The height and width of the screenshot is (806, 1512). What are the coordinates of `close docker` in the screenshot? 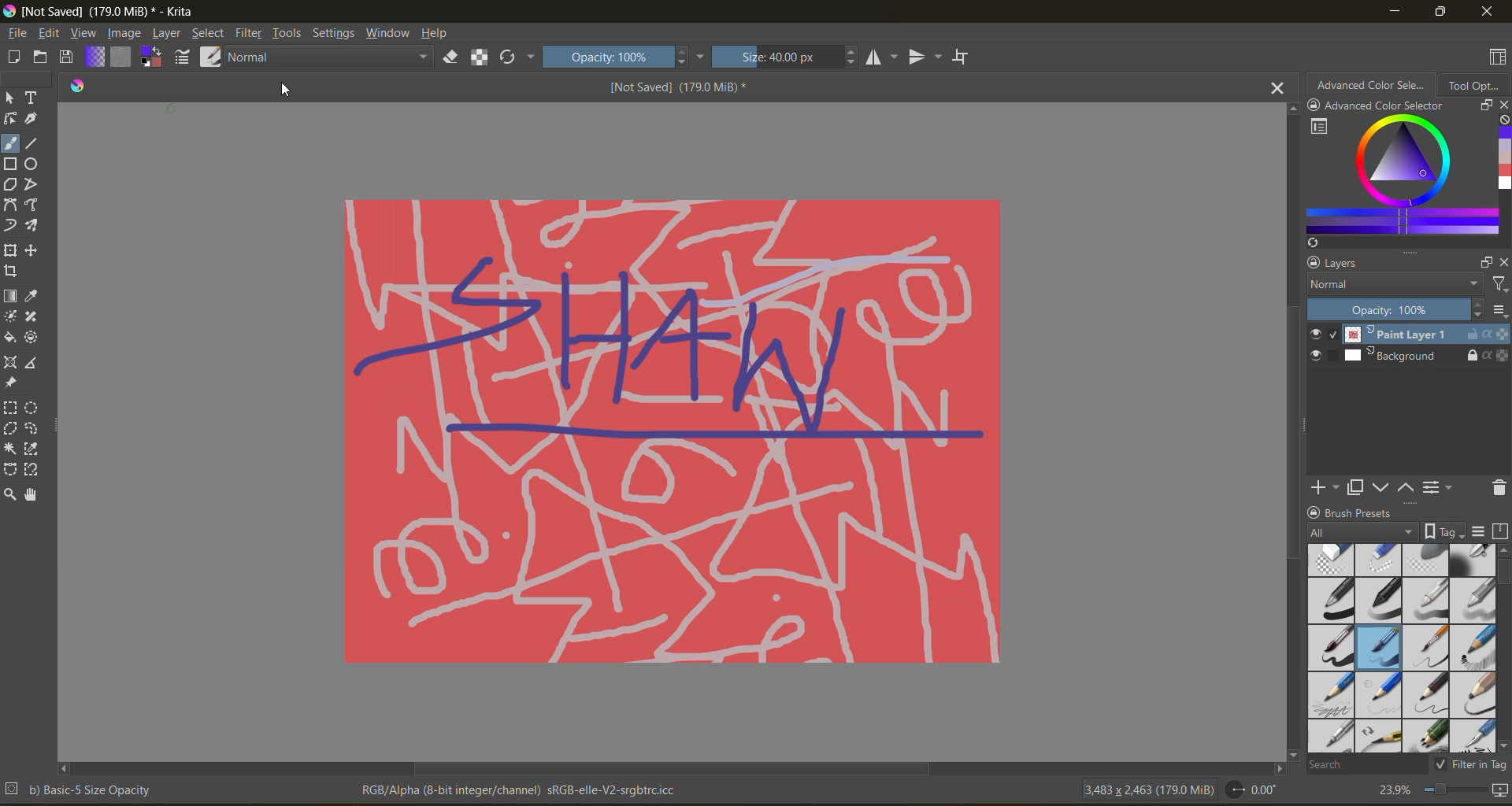 It's located at (1503, 263).